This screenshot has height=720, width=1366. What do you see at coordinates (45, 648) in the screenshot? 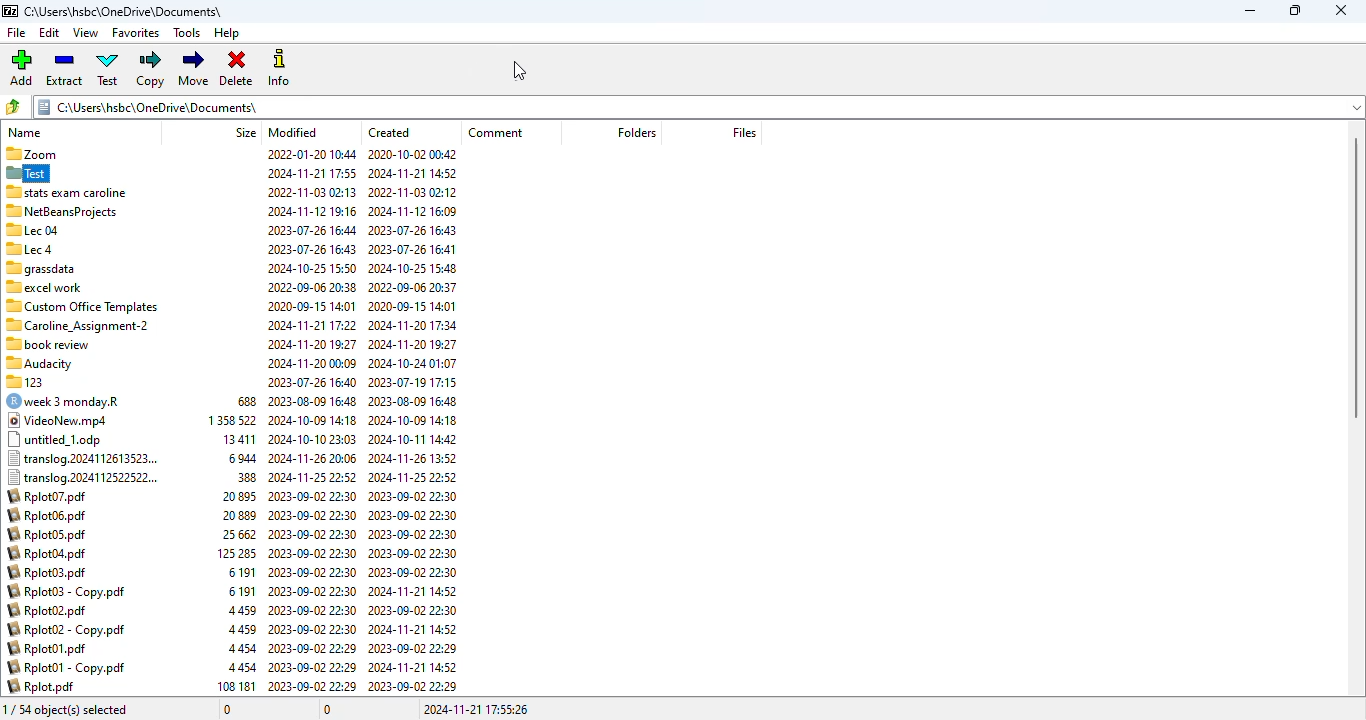
I see `Rplot01.pdf` at bounding box center [45, 648].